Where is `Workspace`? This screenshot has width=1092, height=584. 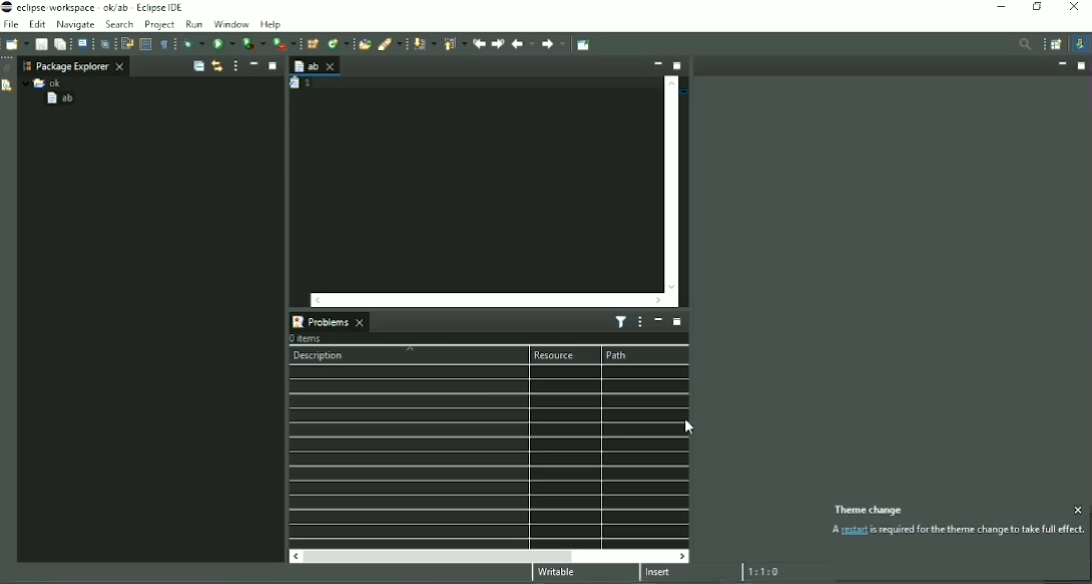
Workspace is located at coordinates (25, 66).